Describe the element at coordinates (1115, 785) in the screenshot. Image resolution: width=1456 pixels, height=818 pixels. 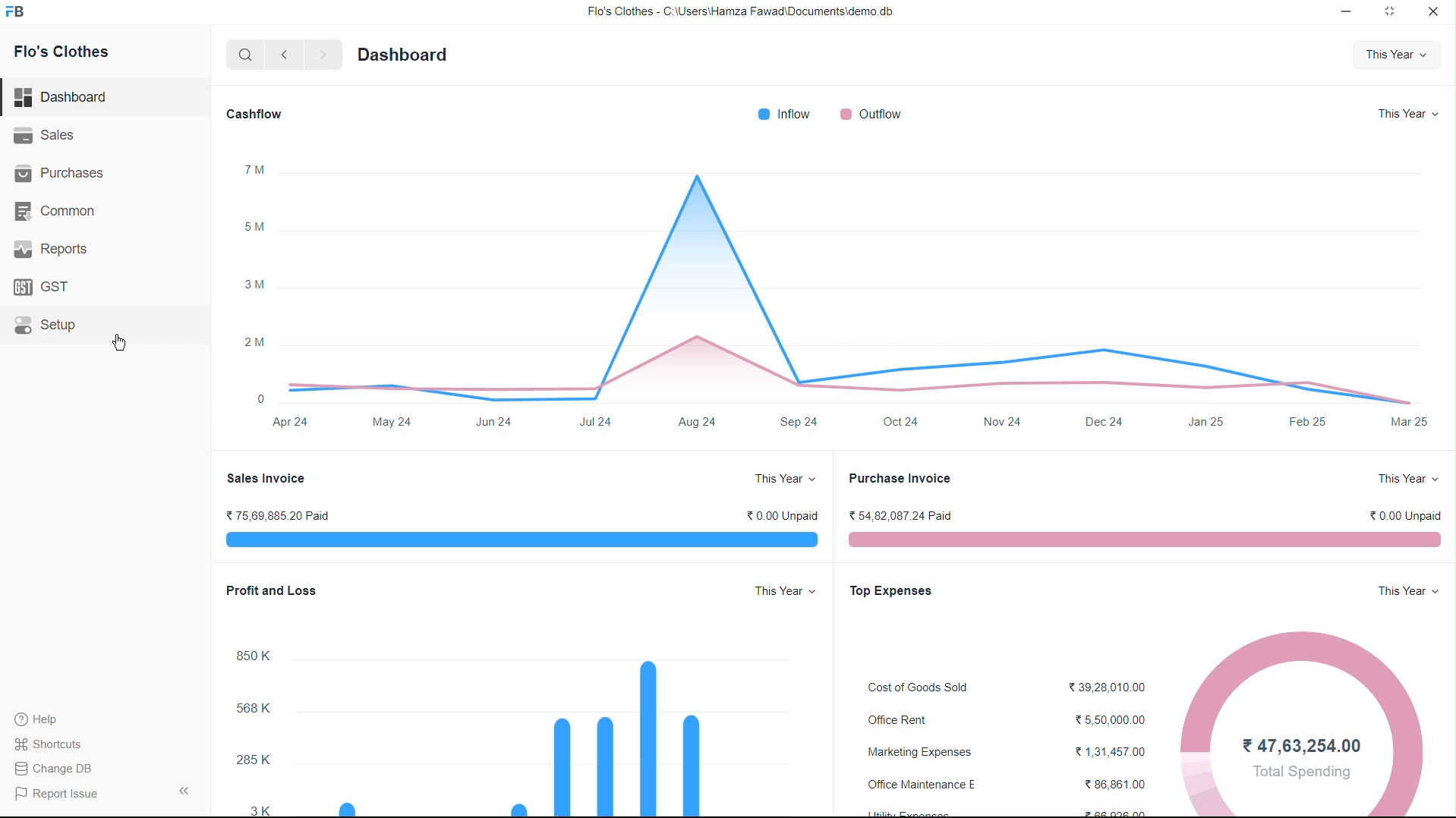
I see `86,861.00` at that location.